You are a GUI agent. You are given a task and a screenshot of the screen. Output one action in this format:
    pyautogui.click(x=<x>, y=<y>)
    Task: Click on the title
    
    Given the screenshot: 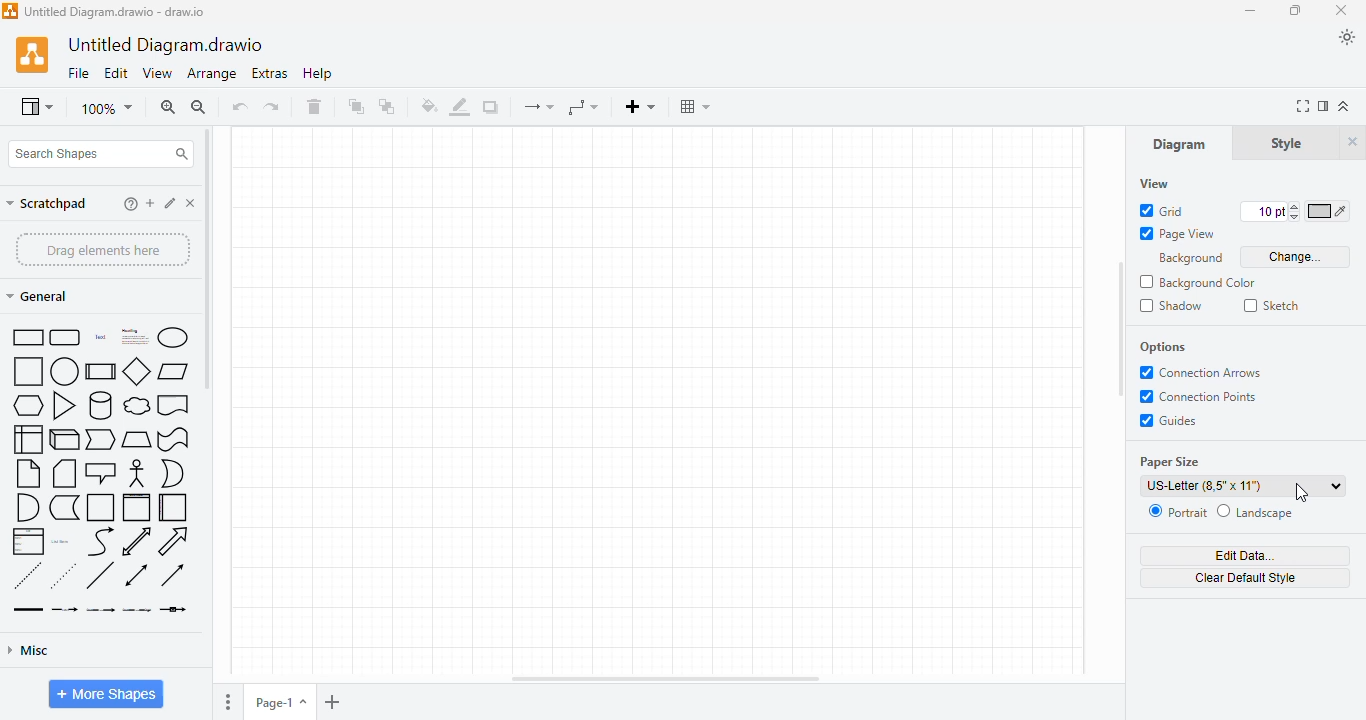 What is the action you would take?
    pyautogui.click(x=114, y=11)
    